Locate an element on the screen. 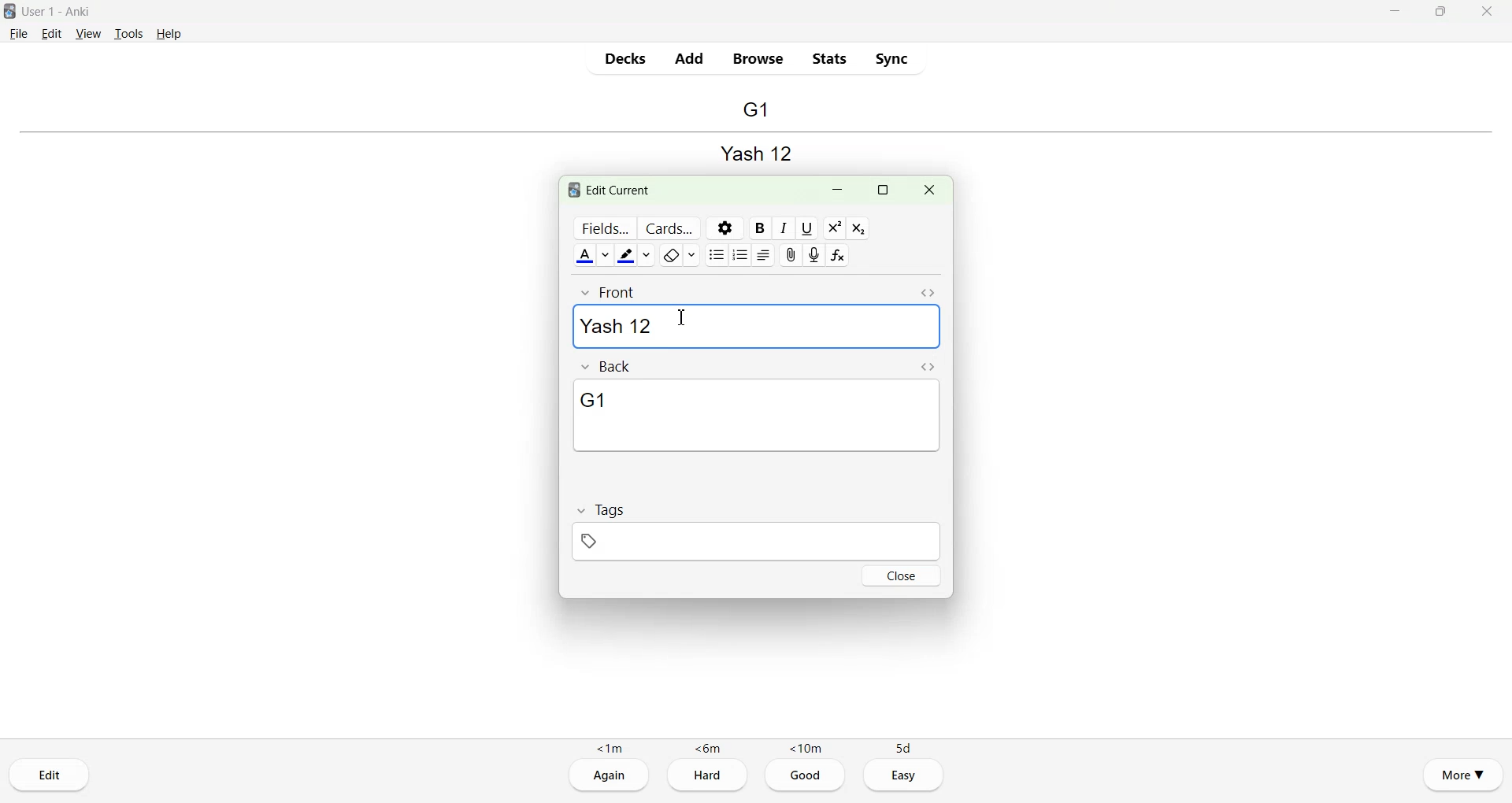 The image size is (1512, 803). Toggle HTML Editor is located at coordinates (928, 294).